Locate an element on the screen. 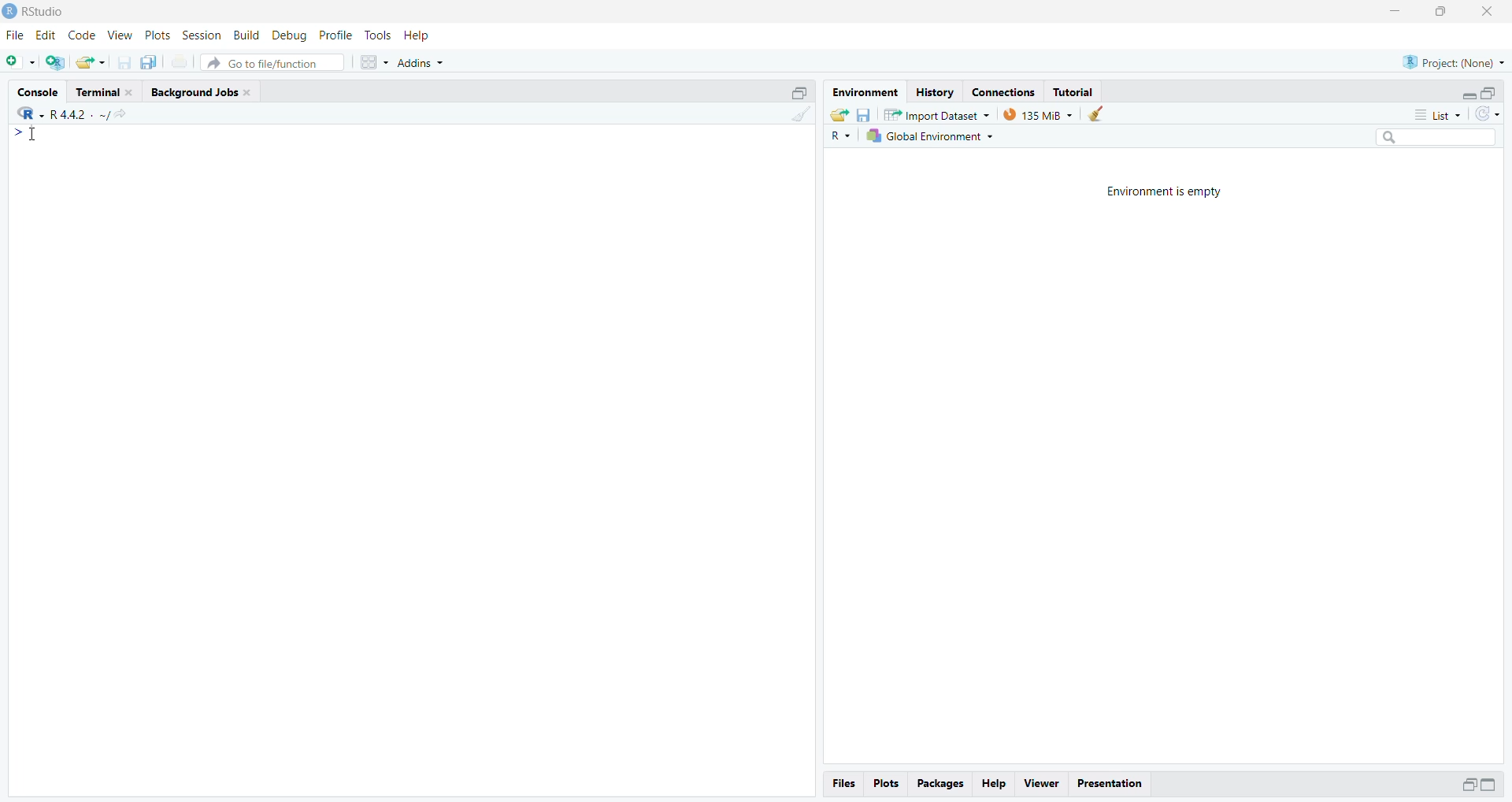 This screenshot has height=802, width=1512. Plots is located at coordinates (889, 785).